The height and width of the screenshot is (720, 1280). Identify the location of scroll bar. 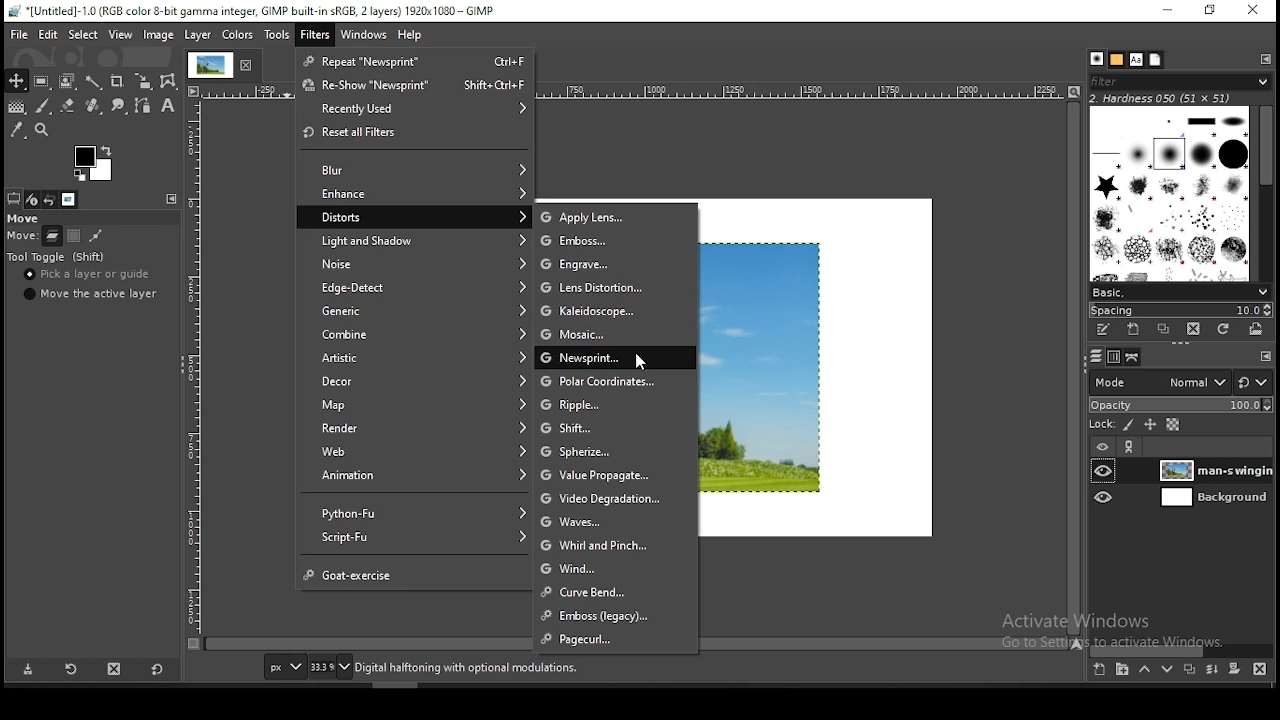
(1180, 649).